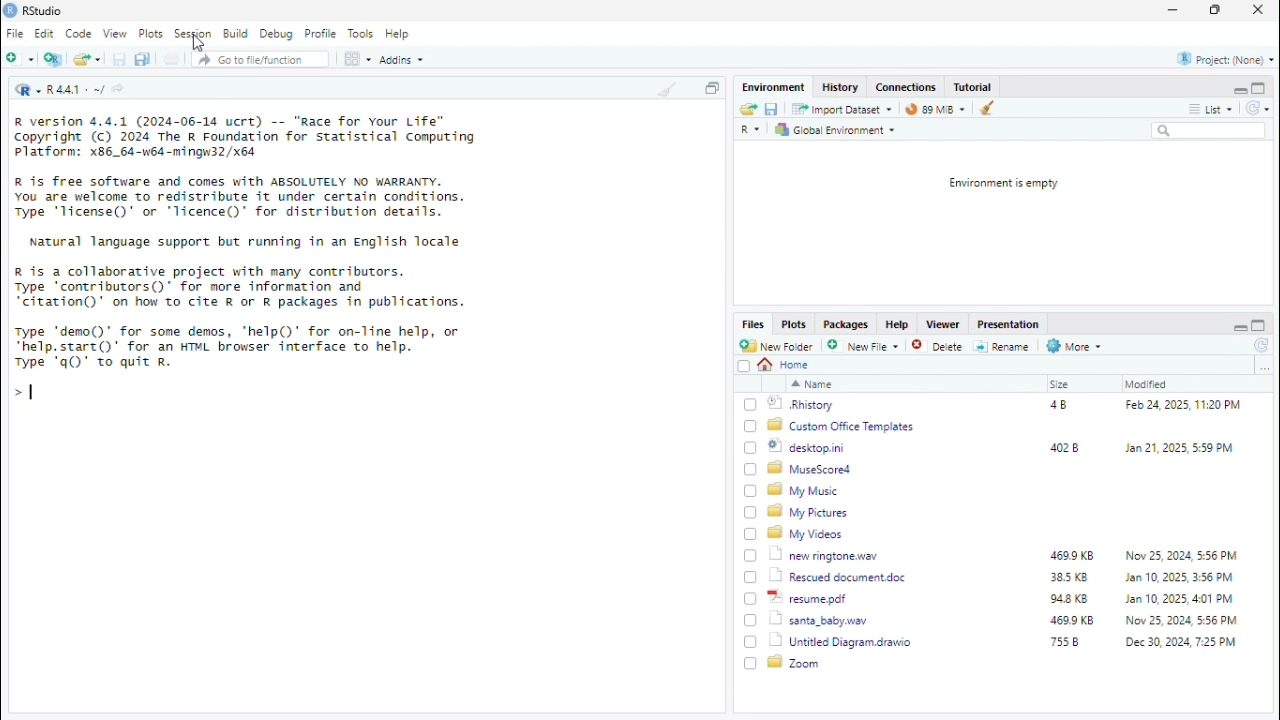 Image resolution: width=1280 pixels, height=720 pixels. I want to click on Checkbox, so click(751, 427).